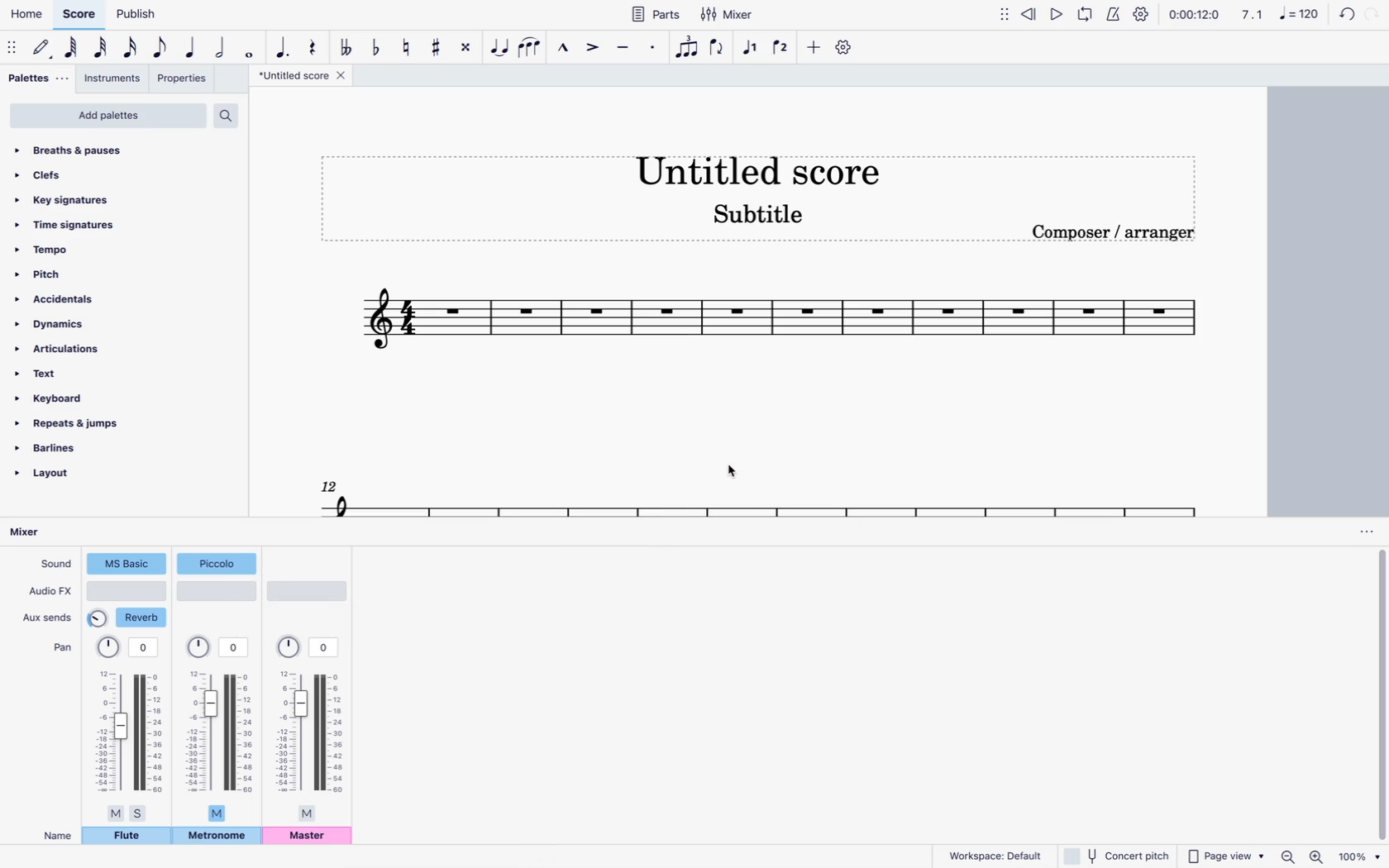 This screenshot has width=1389, height=868. Describe the element at coordinates (1116, 14) in the screenshot. I see `metronome` at that location.